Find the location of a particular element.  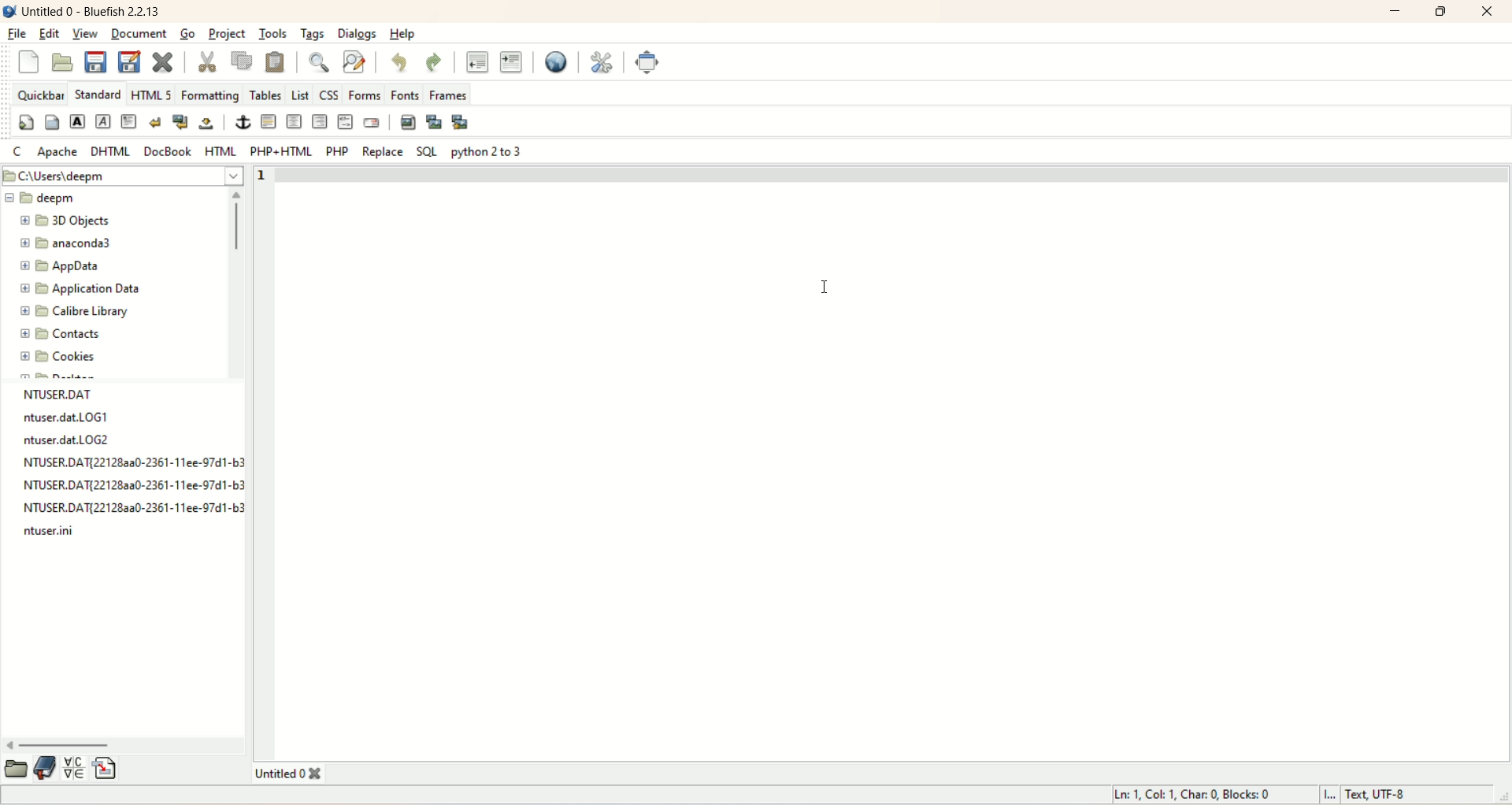

copy is located at coordinates (246, 62).